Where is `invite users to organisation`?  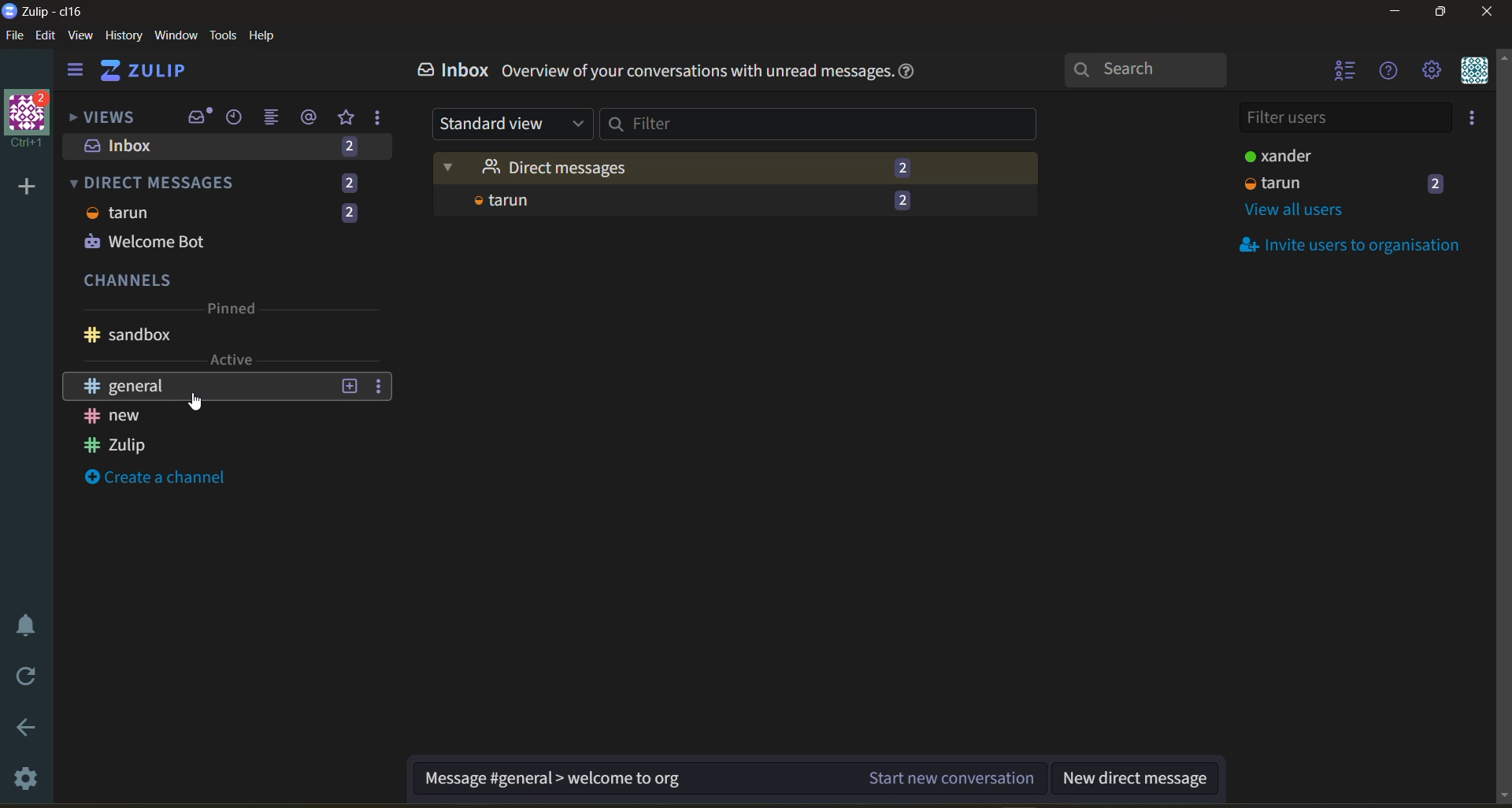 invite users to organisation is located at coordinates (1355, 244).